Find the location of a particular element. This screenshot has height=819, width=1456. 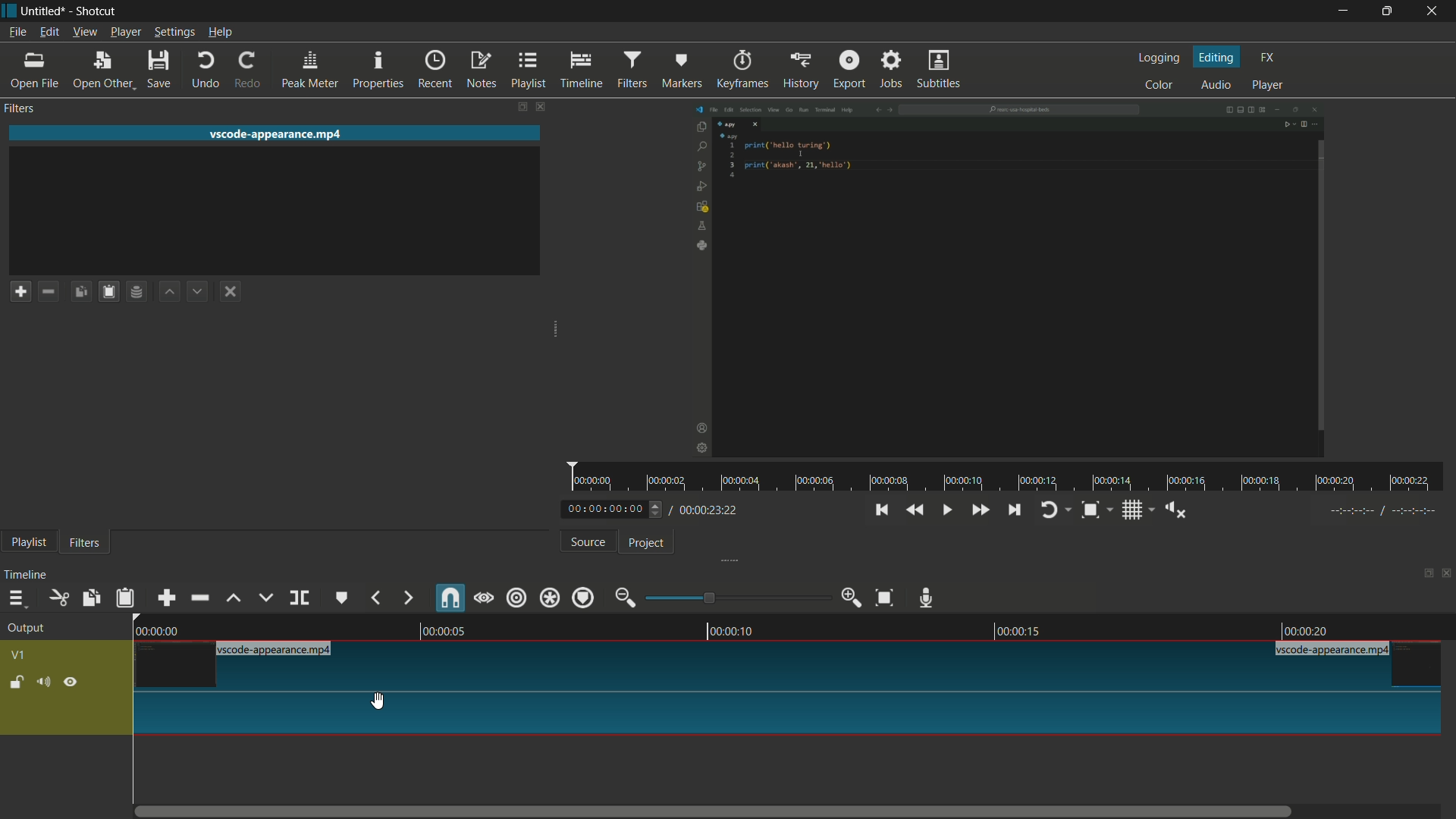

project is located at coordinates (645, 543).